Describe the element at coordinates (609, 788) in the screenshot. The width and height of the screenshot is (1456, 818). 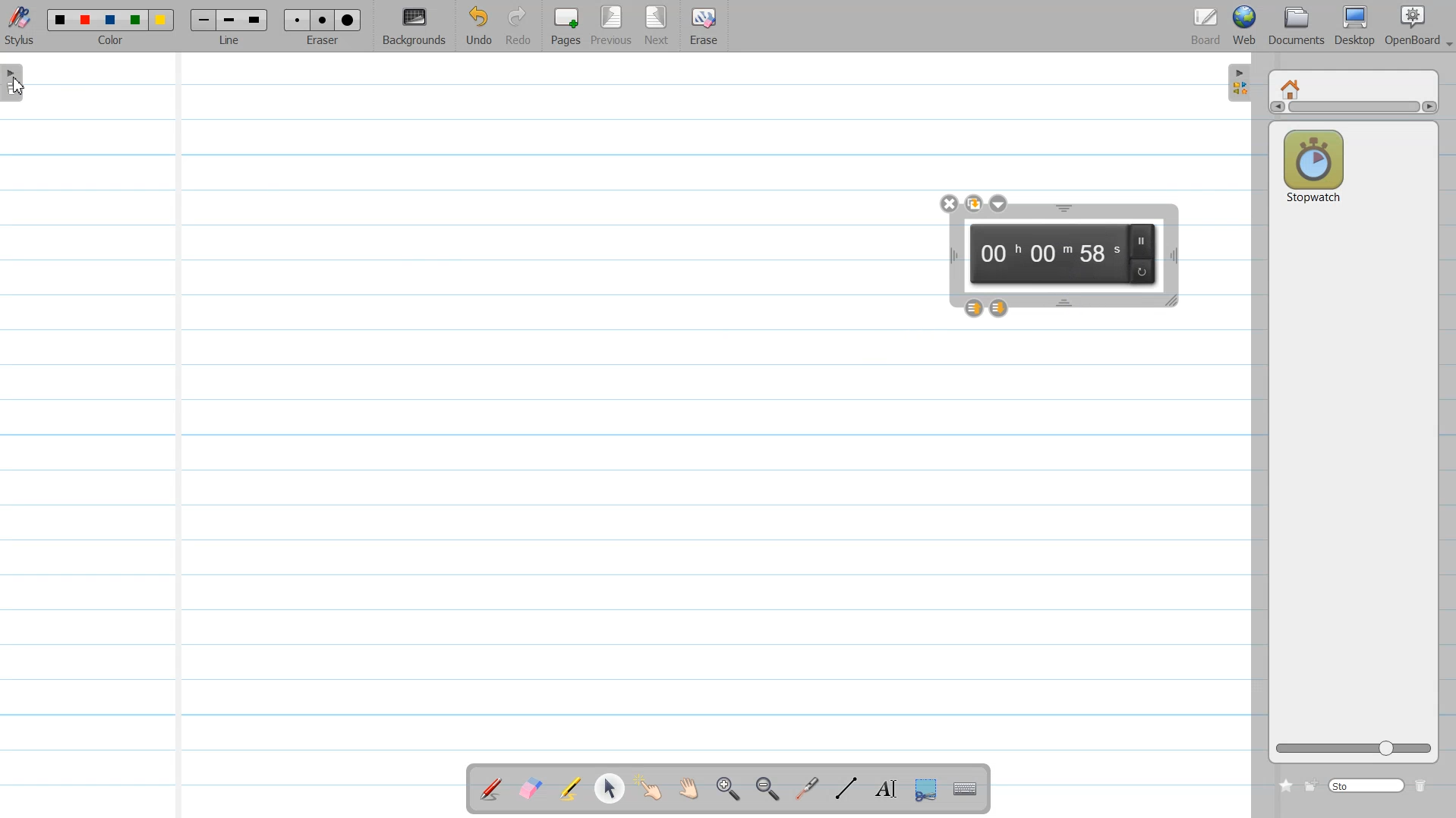
I see `Select and modify object` at that location.